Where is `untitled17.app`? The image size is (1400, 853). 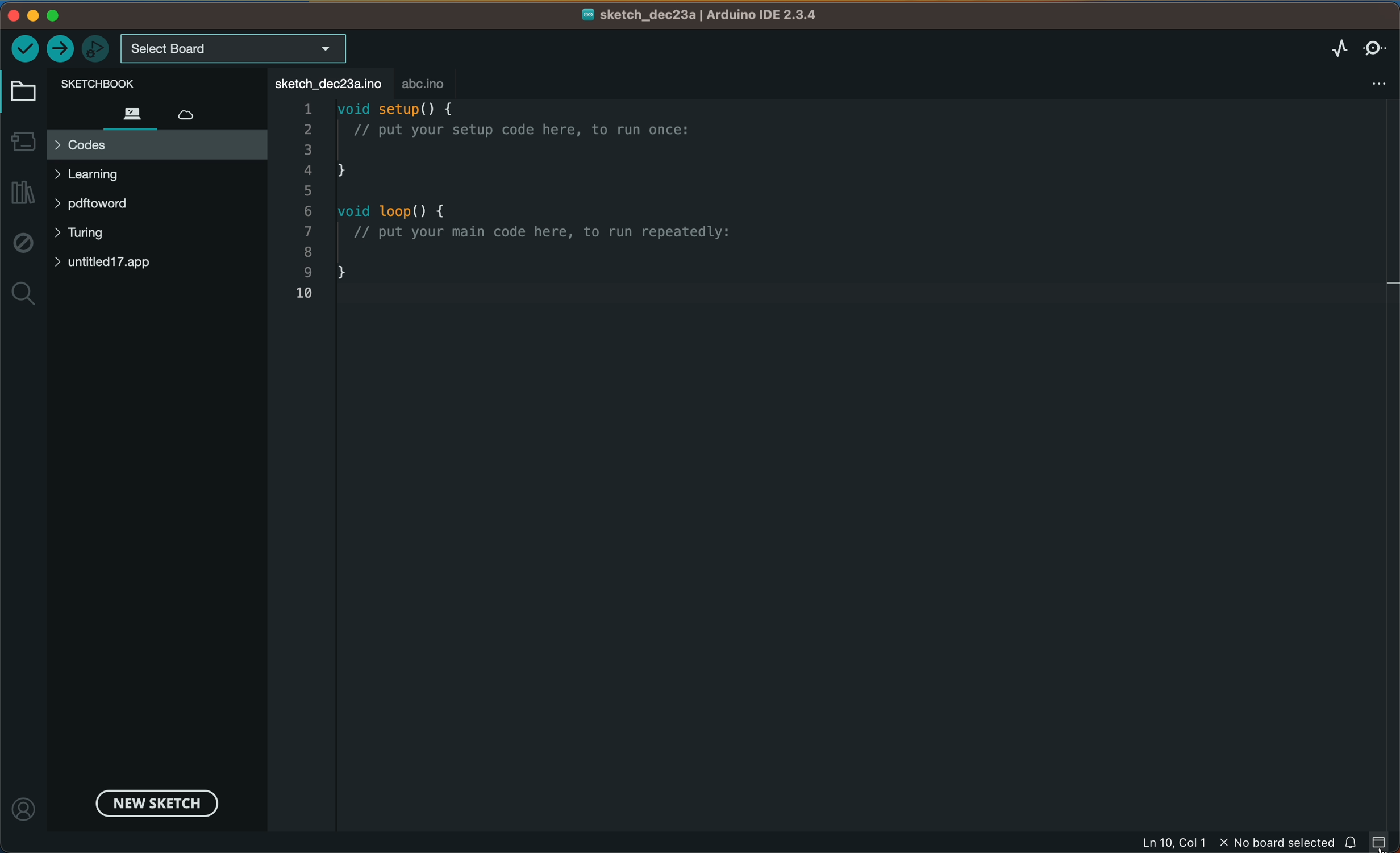
untitled17.app is located at coordinates (126, 264).